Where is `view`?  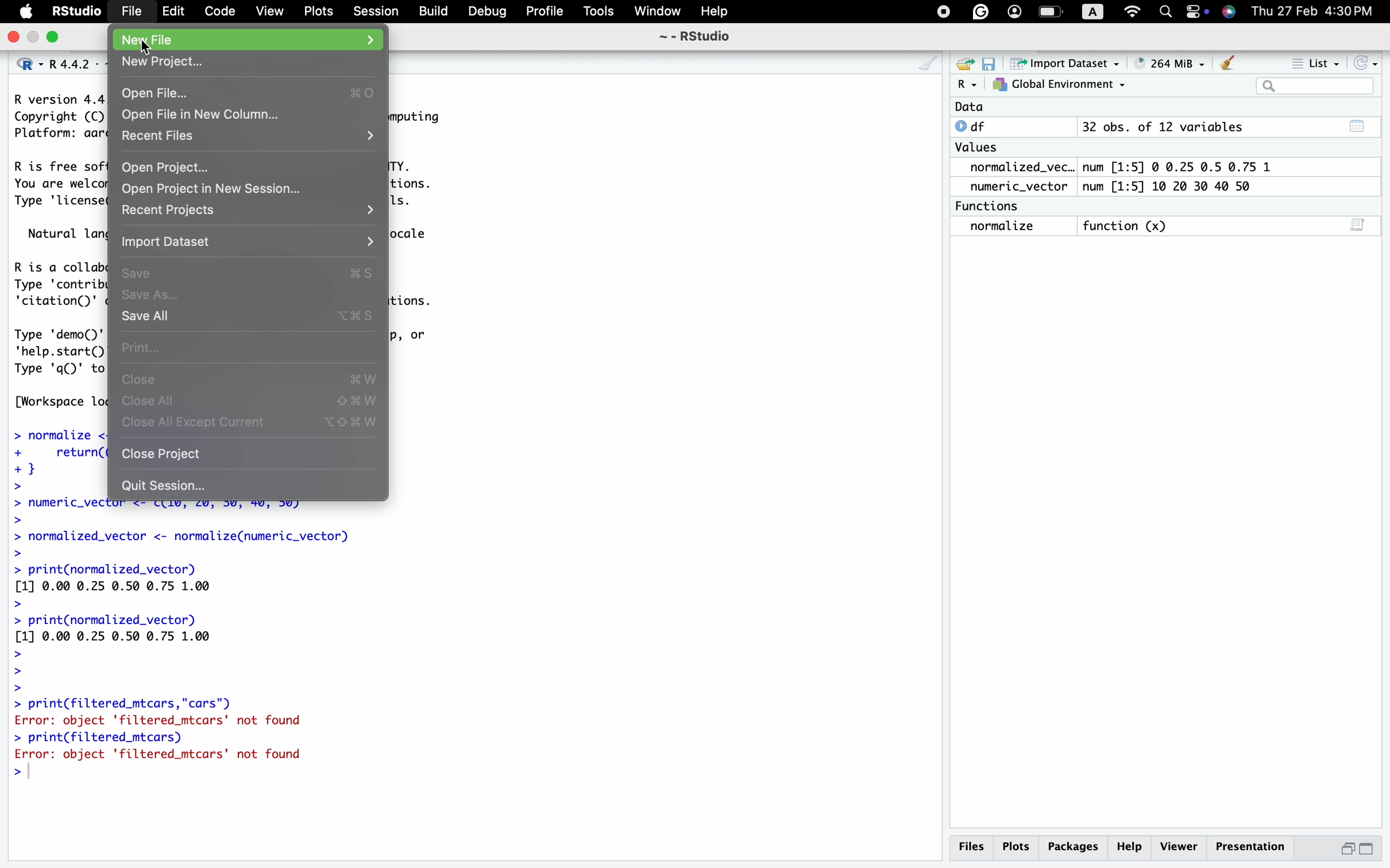
view is located at coordinates (269, 12).